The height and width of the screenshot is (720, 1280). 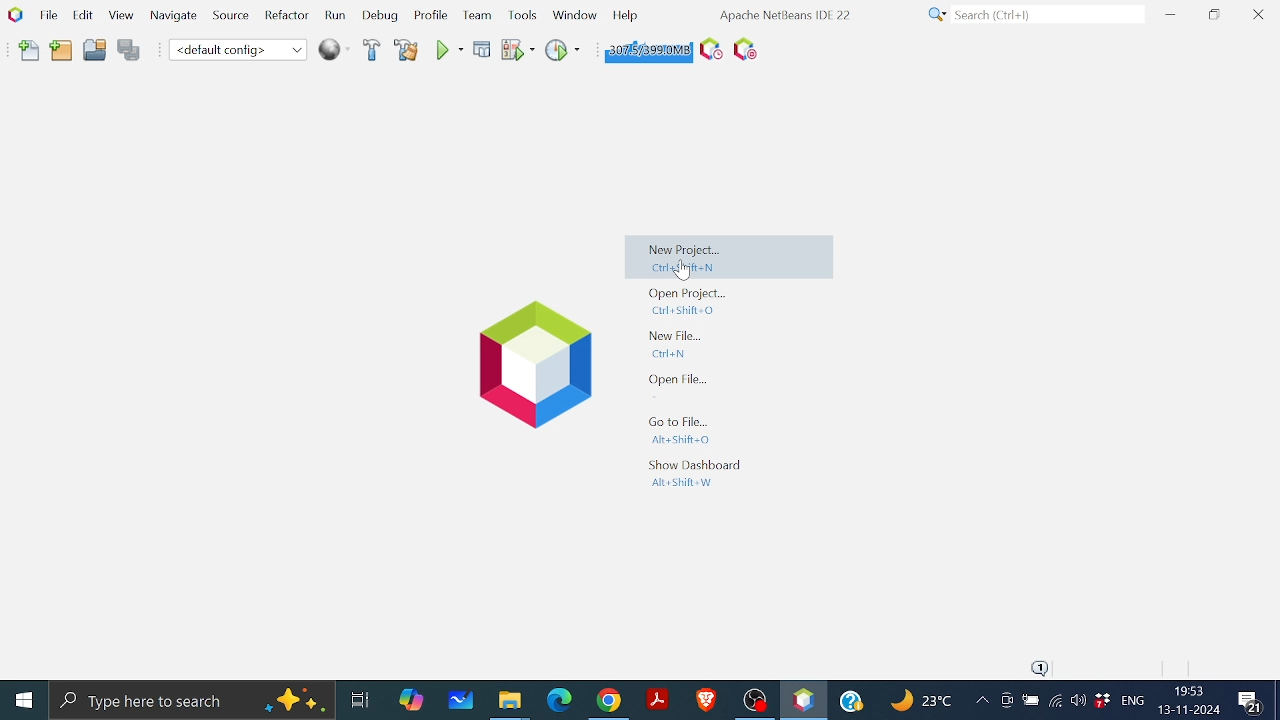 I want to click on Help, so click(x=625, y=14).